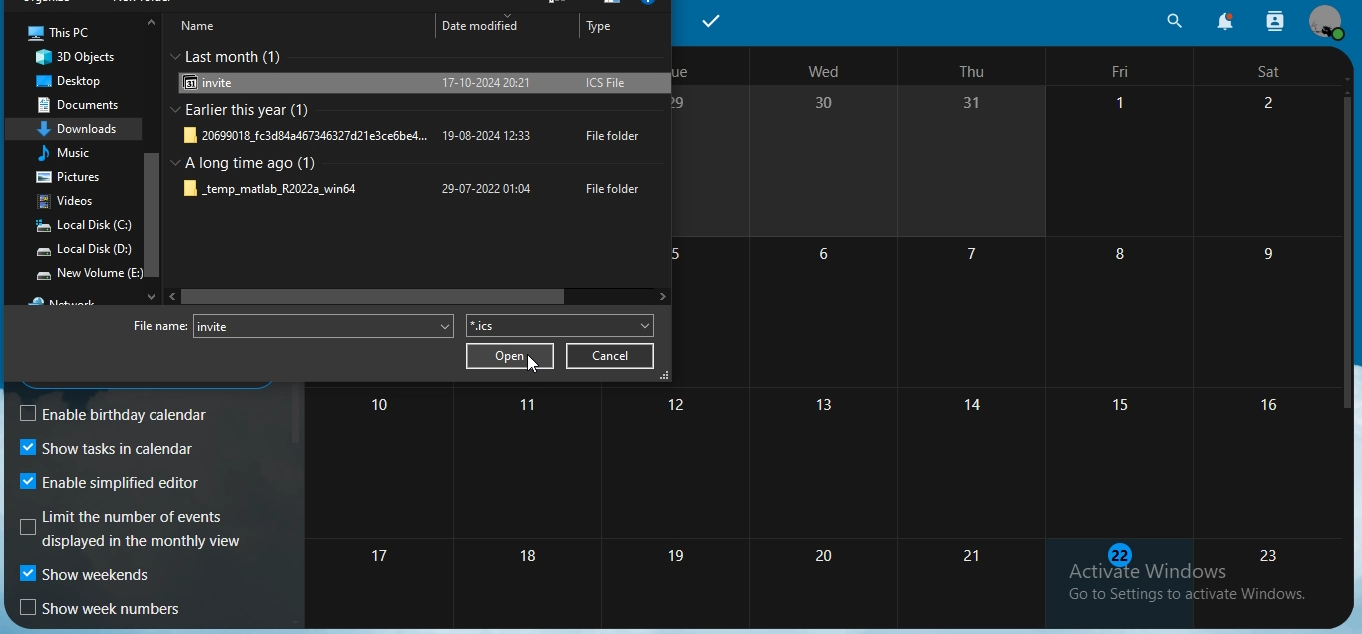 The image size is (1362, 634). Describe the element at coordinates (415, 137) in the screenshot. I see `file folder` at that location.